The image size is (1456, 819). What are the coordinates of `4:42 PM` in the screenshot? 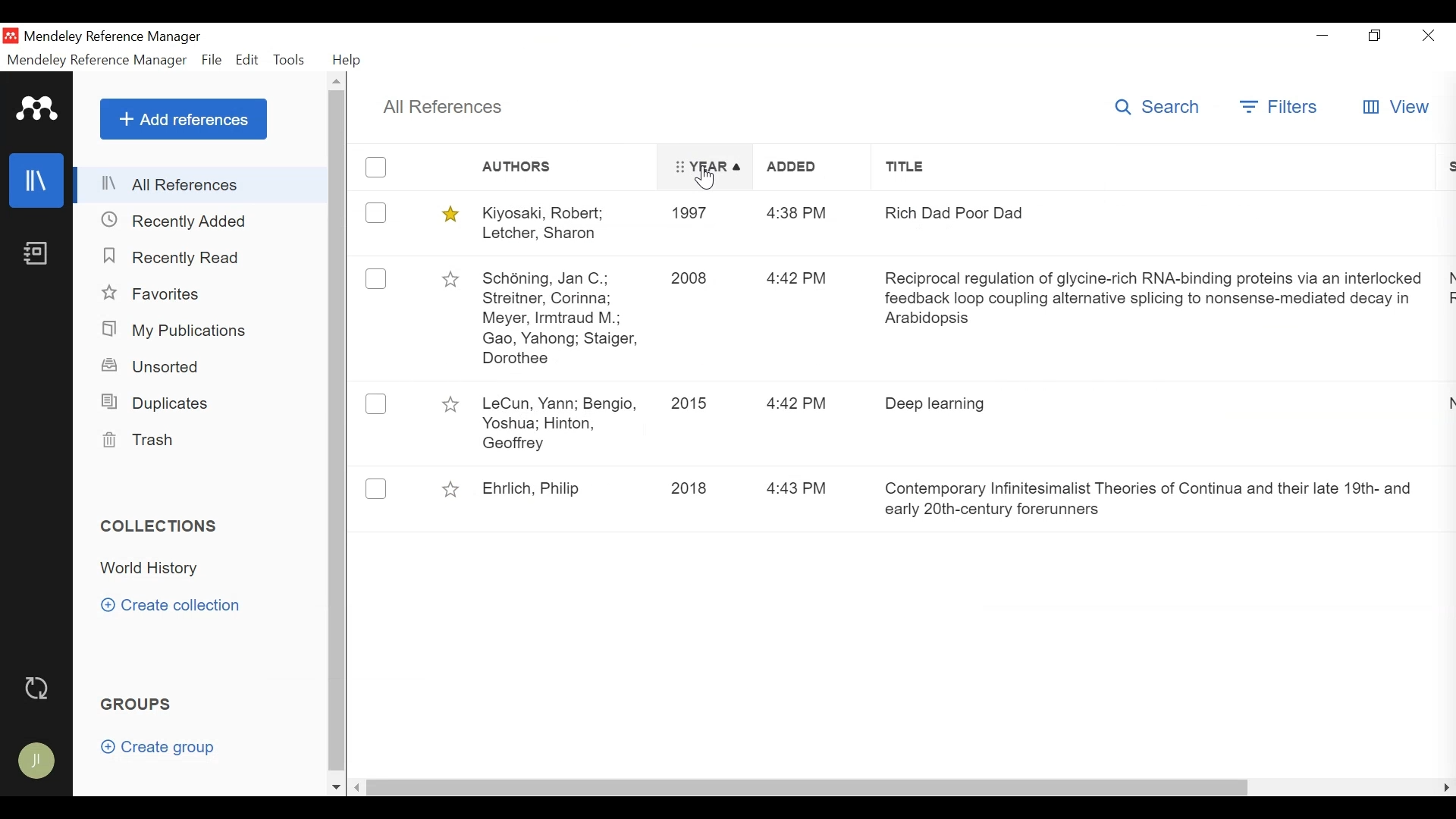 It's located at (799, 403).